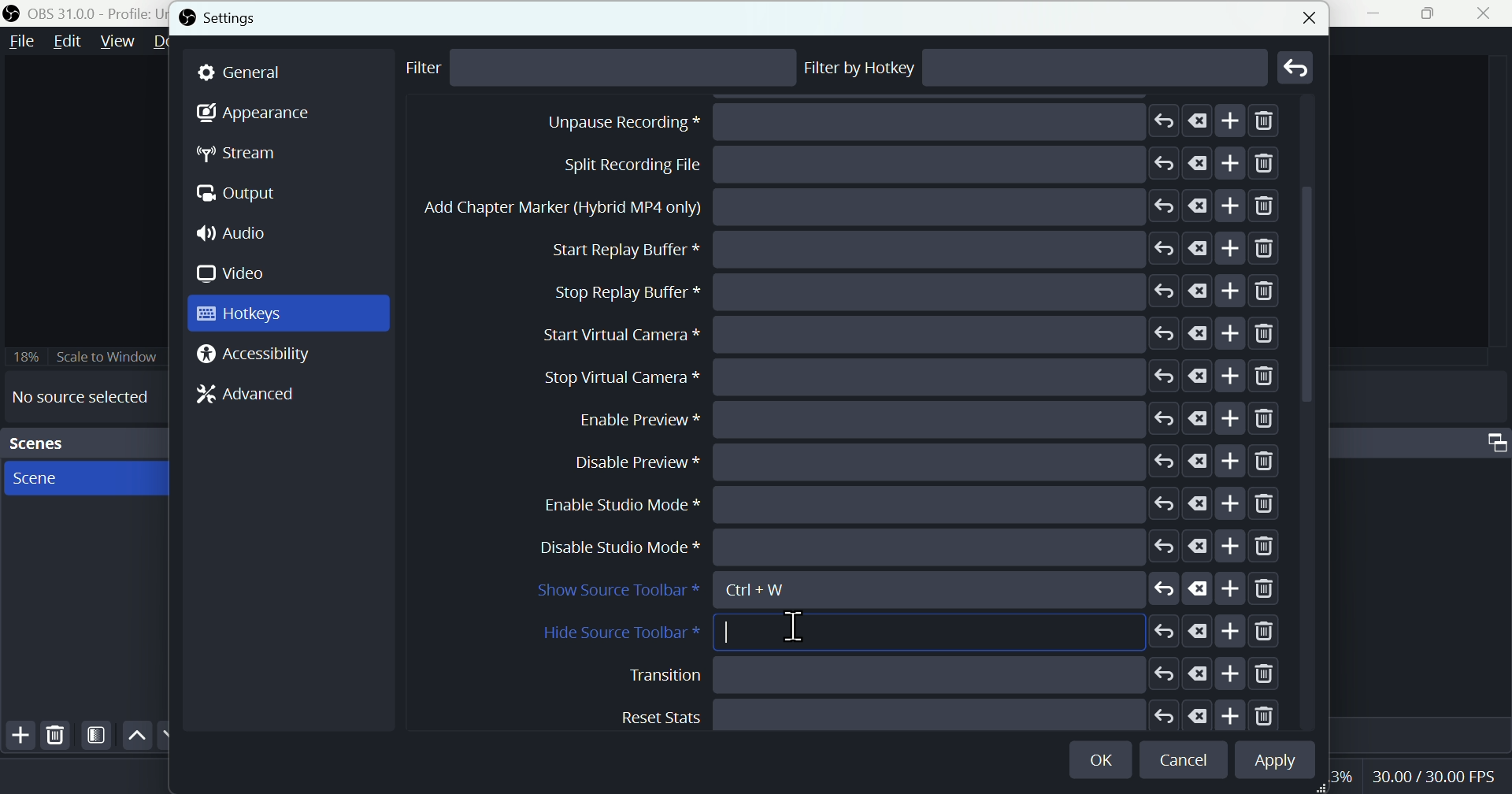 This screenshot has width=1512, height=794. Describe the element at coordinates (56, 735) in the screenshot. I see `Delete` at that location.